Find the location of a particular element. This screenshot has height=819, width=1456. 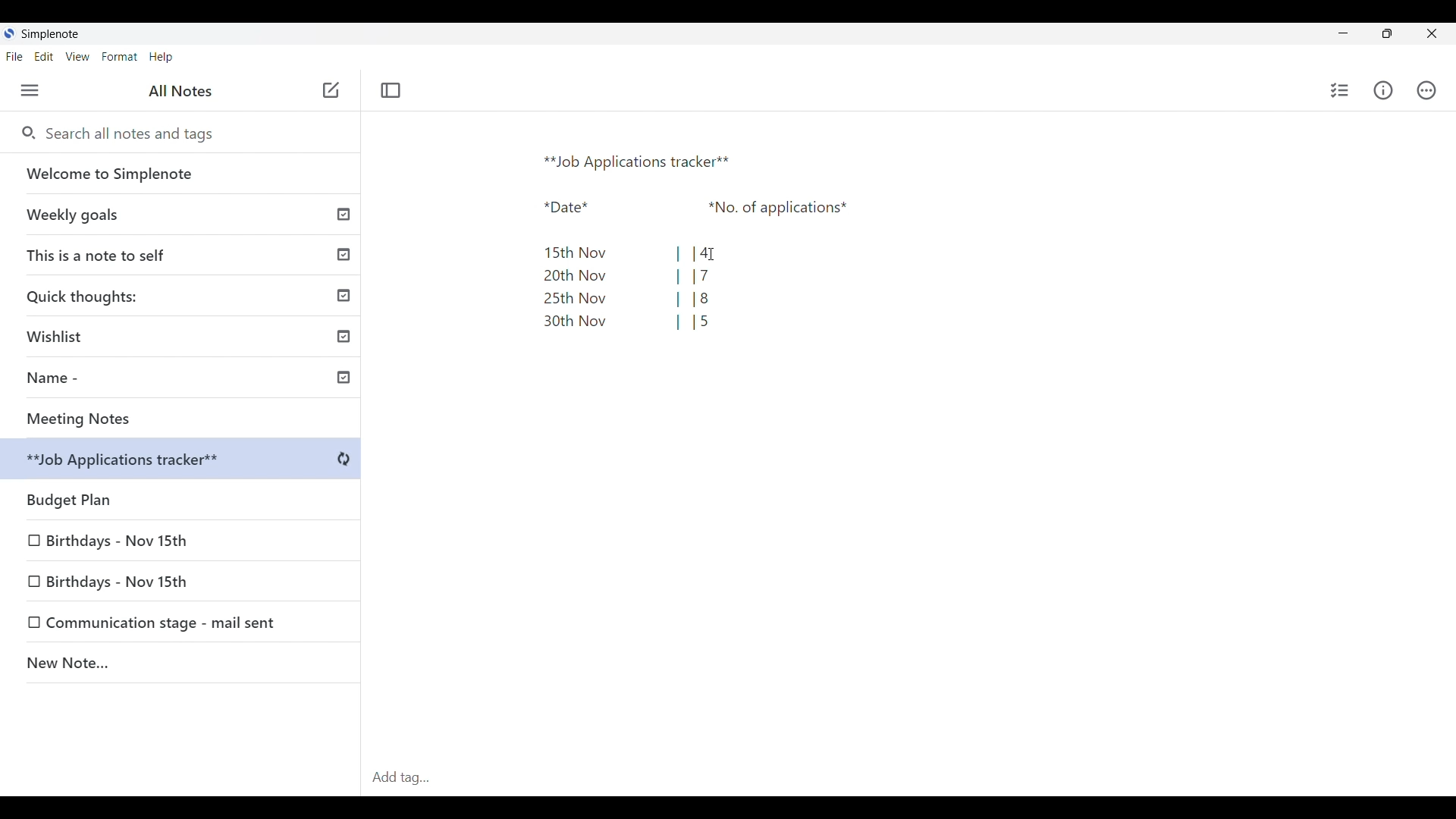

Maximize is located at coordinates (1387, 33).